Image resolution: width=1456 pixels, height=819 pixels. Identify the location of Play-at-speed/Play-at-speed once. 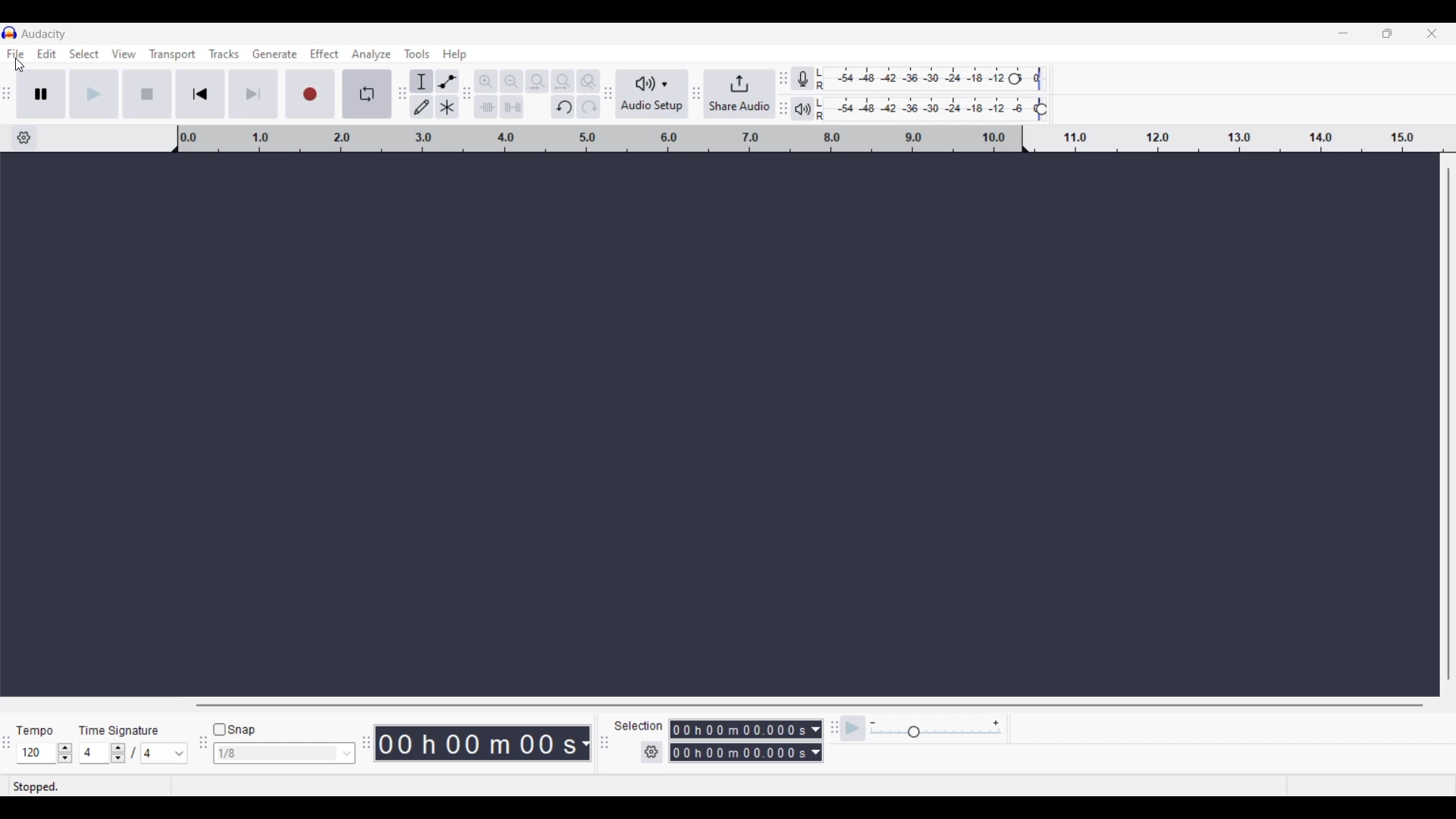
(854, 729).